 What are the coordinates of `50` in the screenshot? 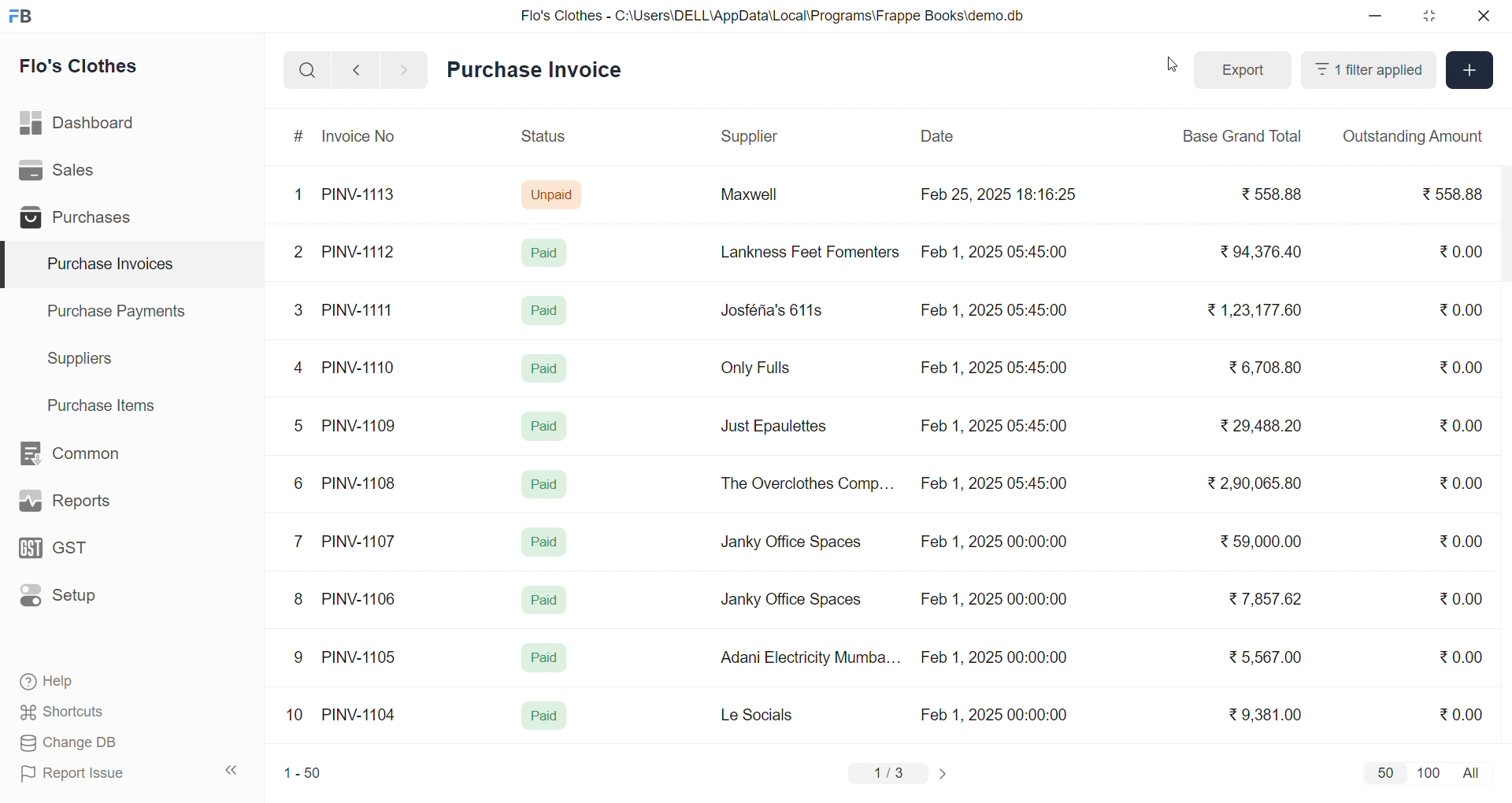 It's located at (1384, 772).